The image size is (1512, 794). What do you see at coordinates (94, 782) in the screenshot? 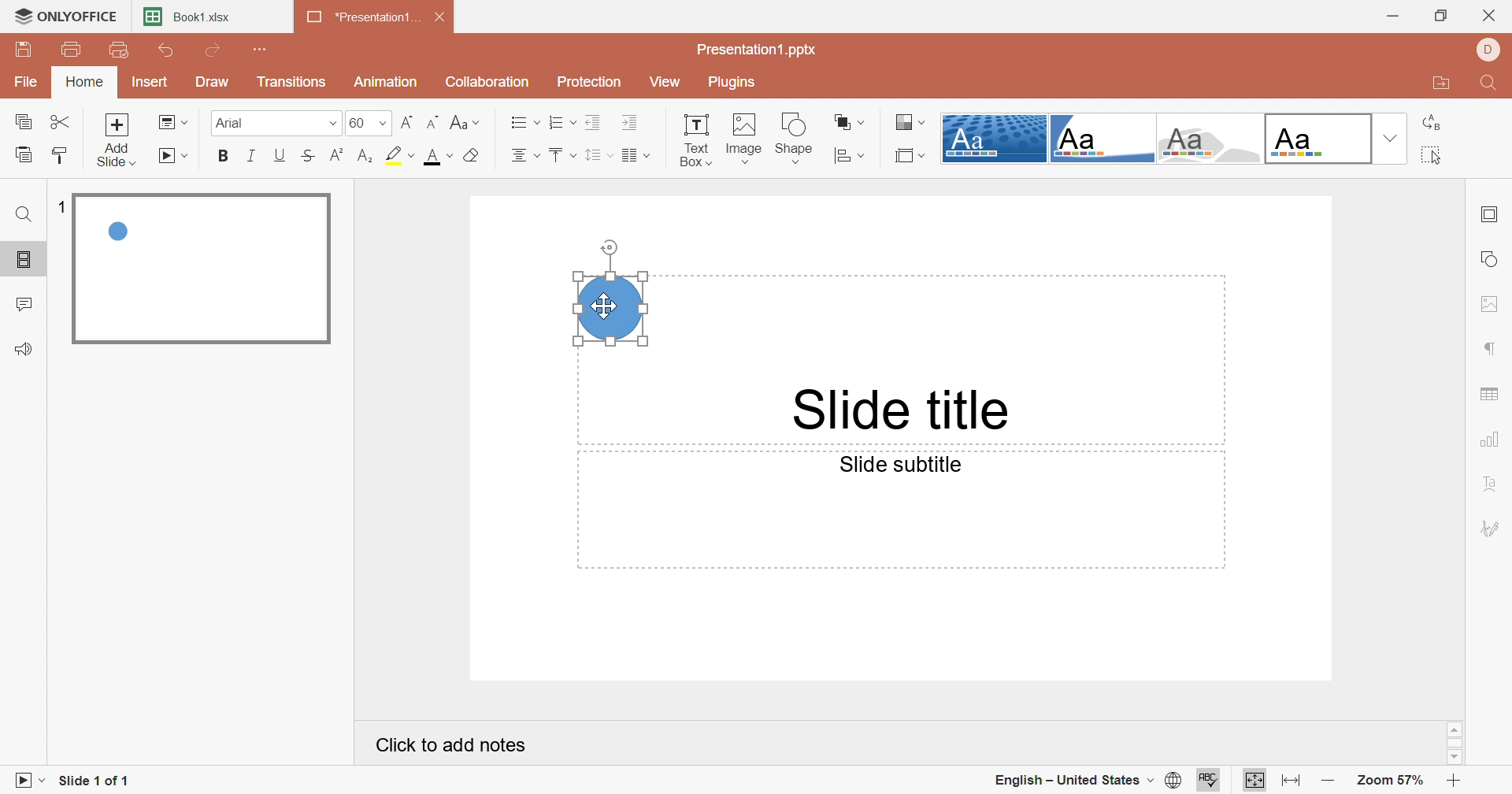
I see `Slide 1 of 1` at bounding box center [94, 782].